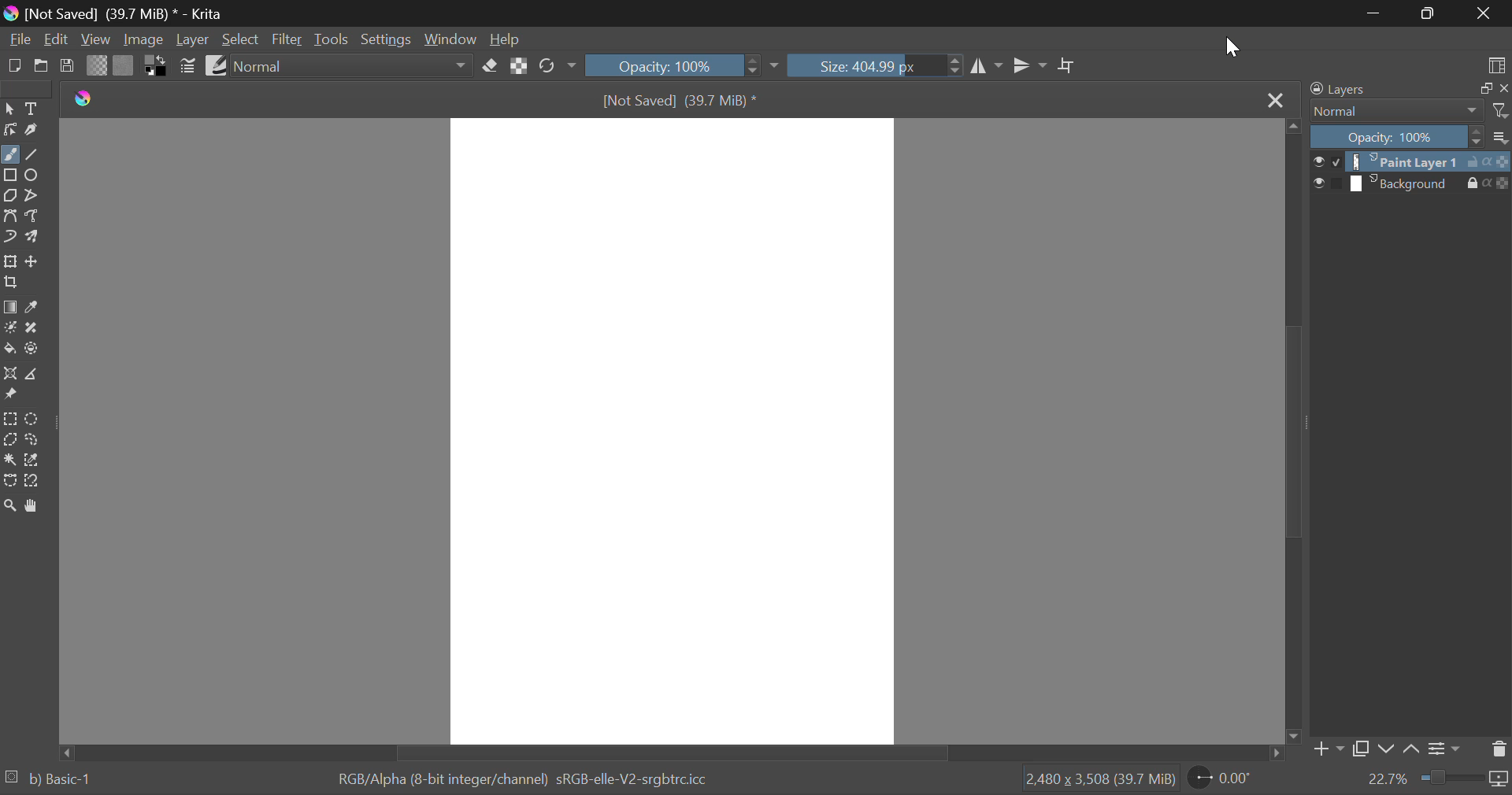  What do you see at coordinates (9, 327) in the screenshot?
I see `Colorize Mask Tool` at bounding box center [9, 327].